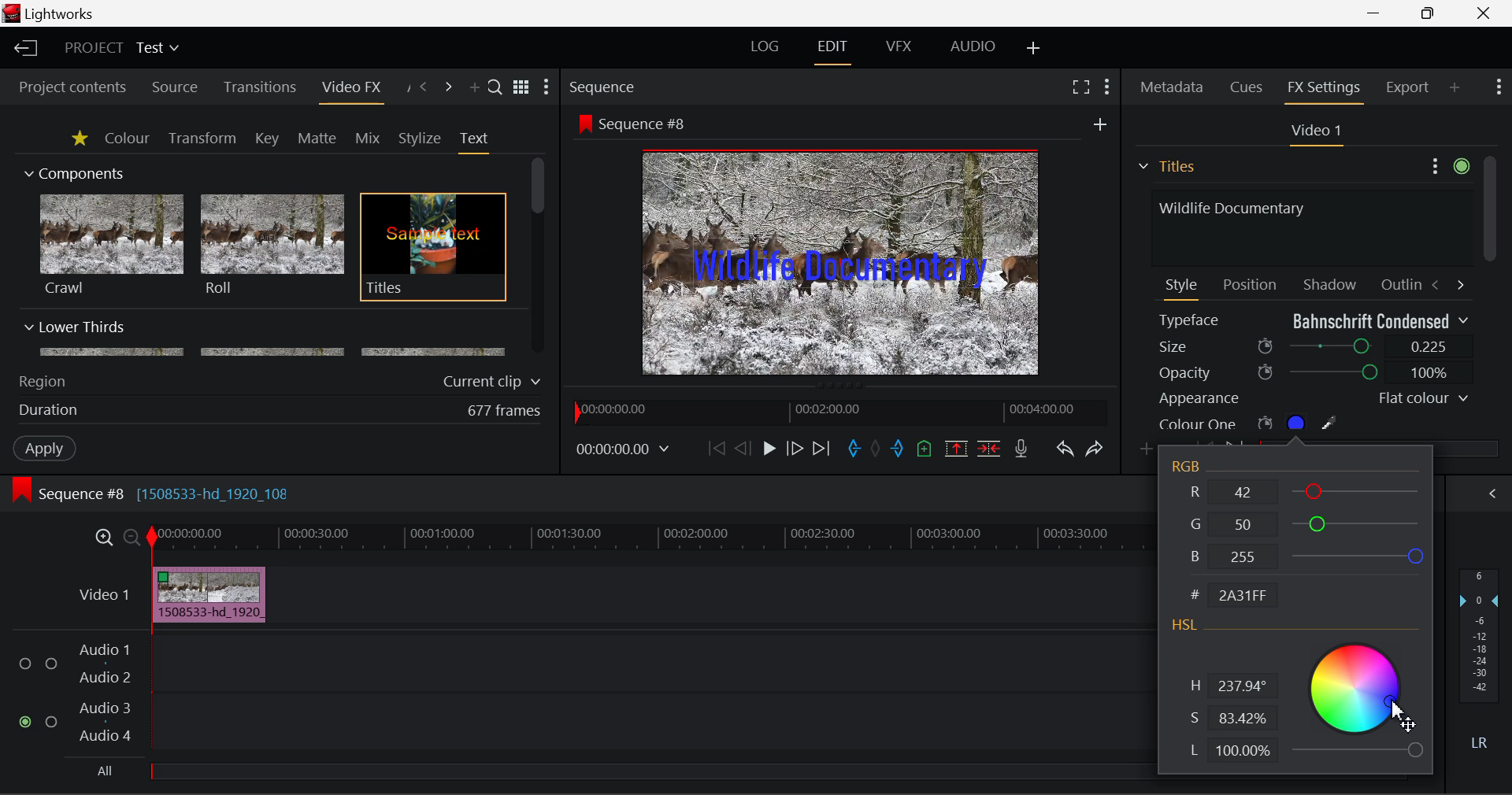  Describe the element at coordinates (1166, 166) in the screenshot. I see `Titles Section` at that location.